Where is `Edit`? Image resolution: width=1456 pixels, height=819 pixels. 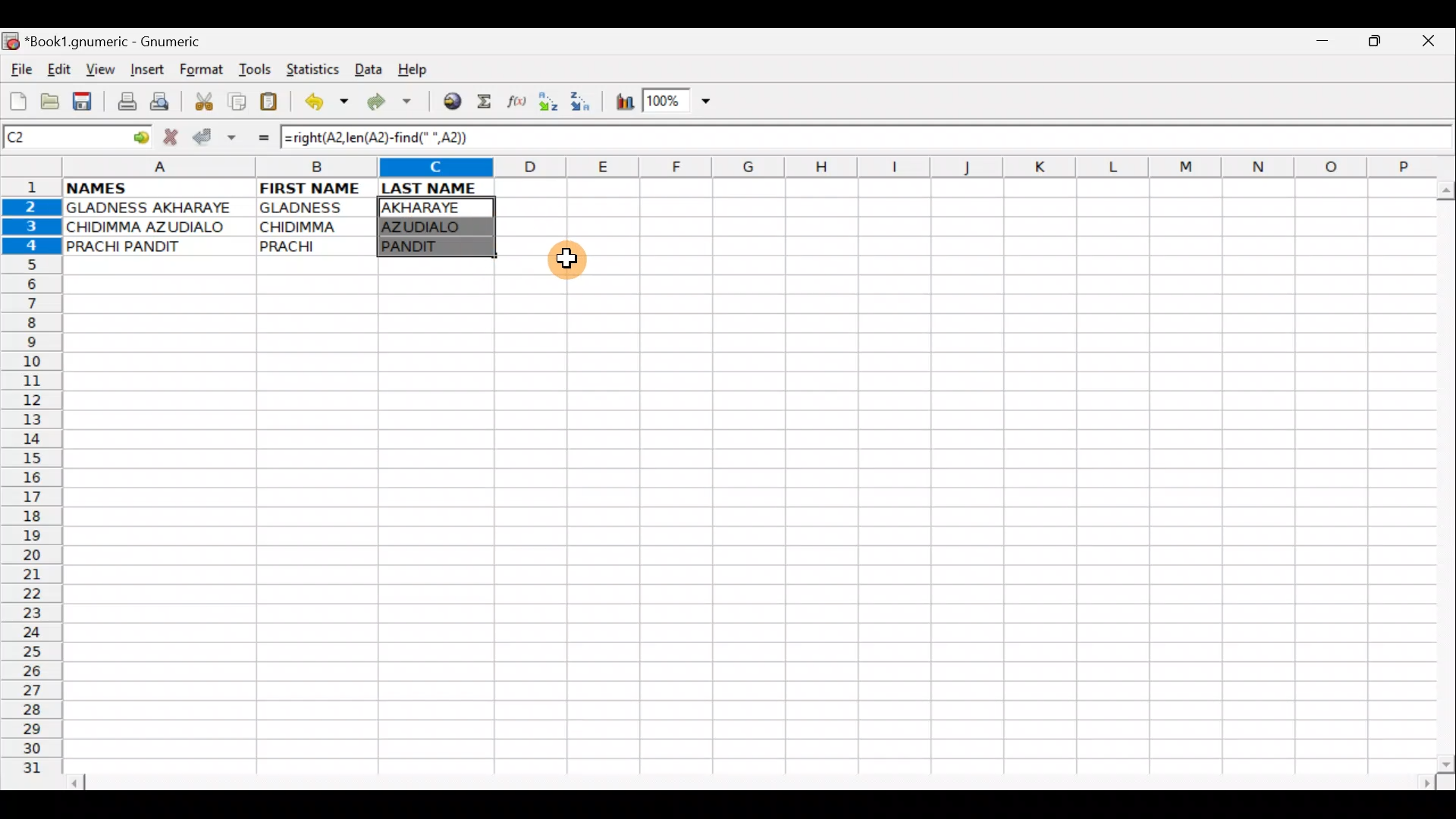
Edit is located at coordinates (58, 69).